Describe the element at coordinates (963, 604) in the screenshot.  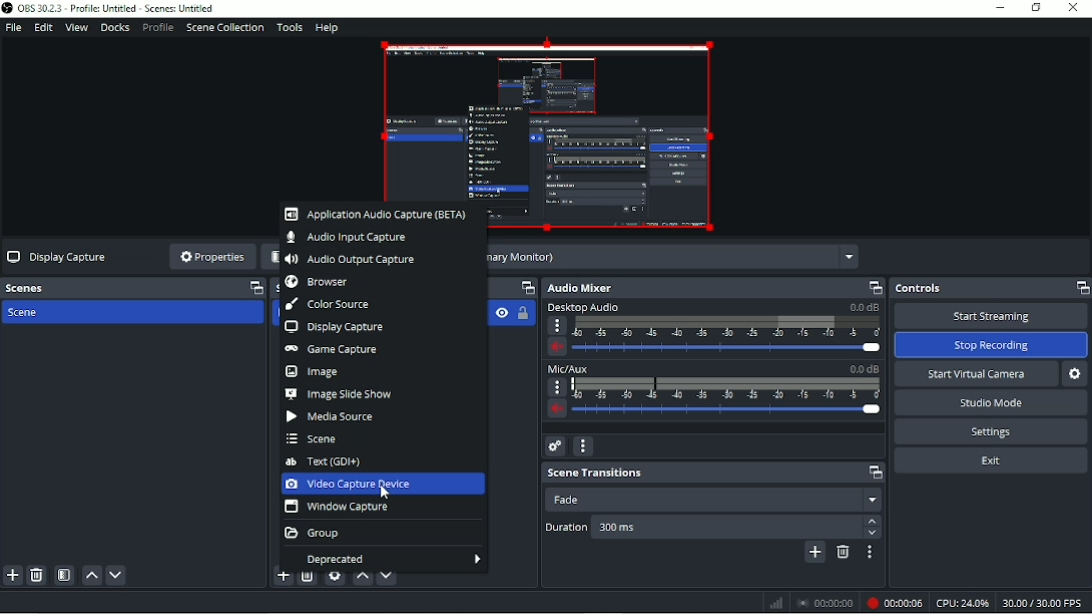
I see `CPU:16.4%` at that location.